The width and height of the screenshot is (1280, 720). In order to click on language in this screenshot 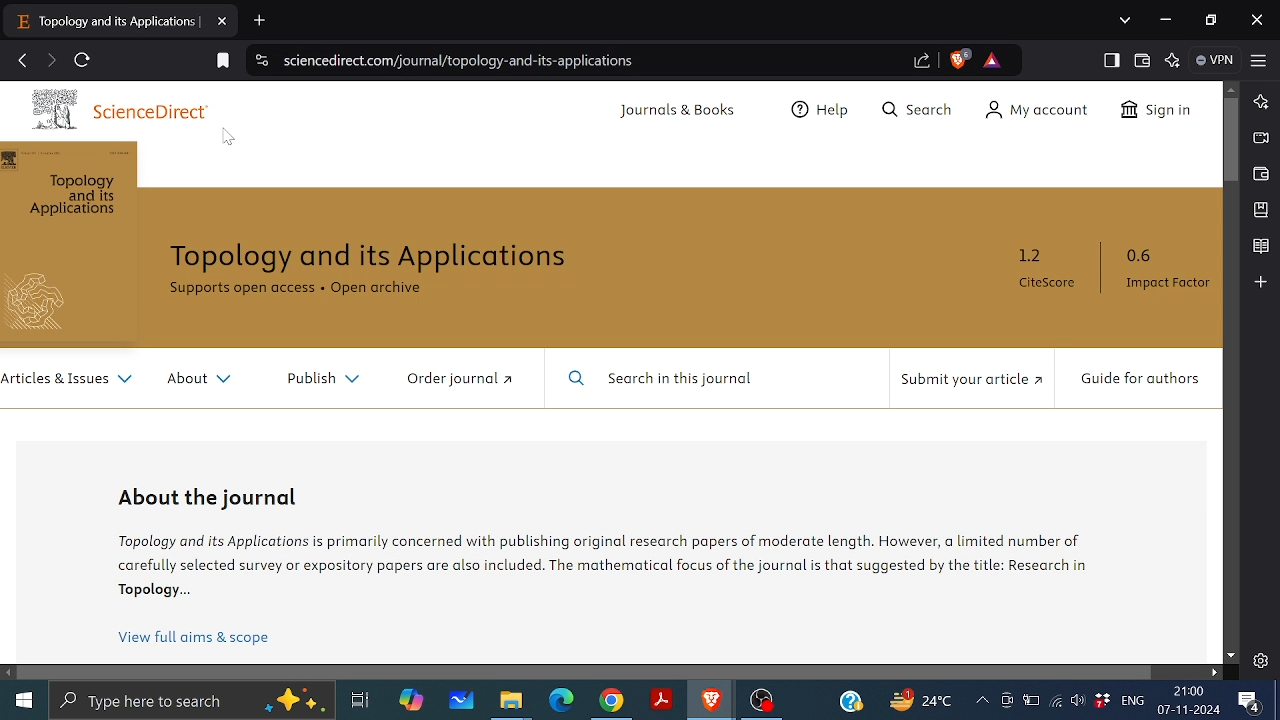, I will do `click(1133, 701)`.